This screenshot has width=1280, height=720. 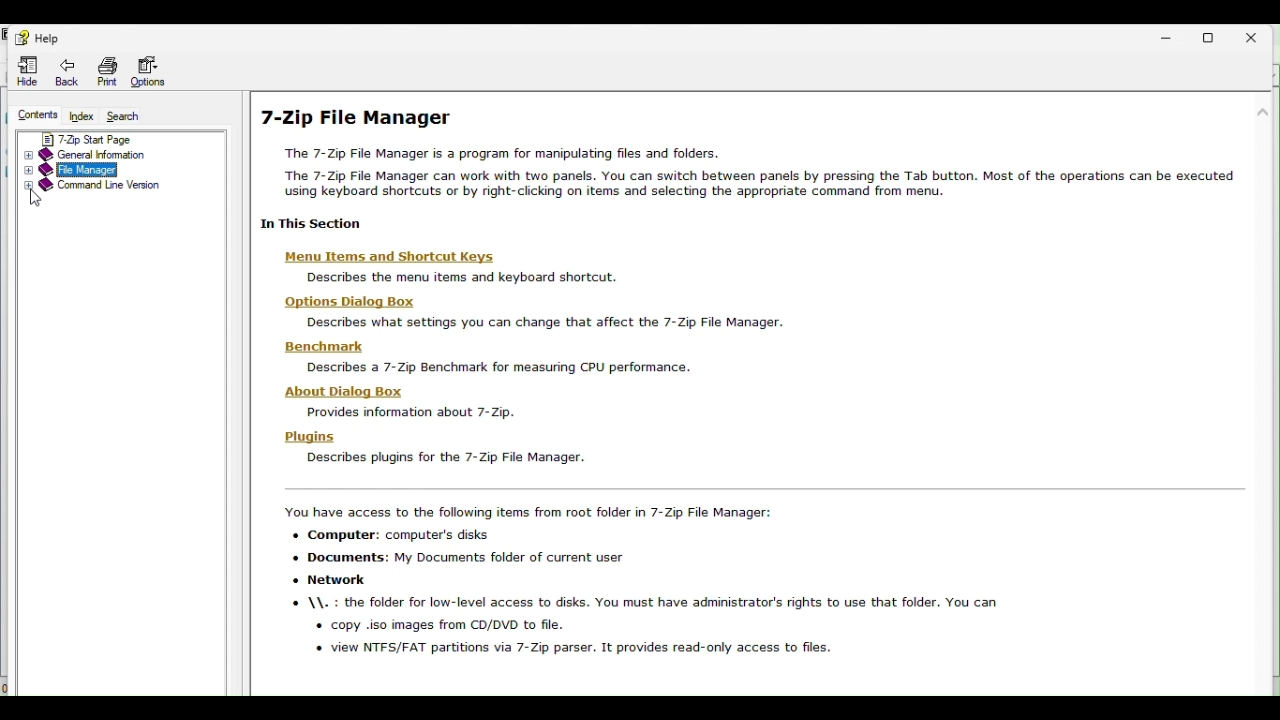 I want to click on Restore, so click(x=1213, y=34).